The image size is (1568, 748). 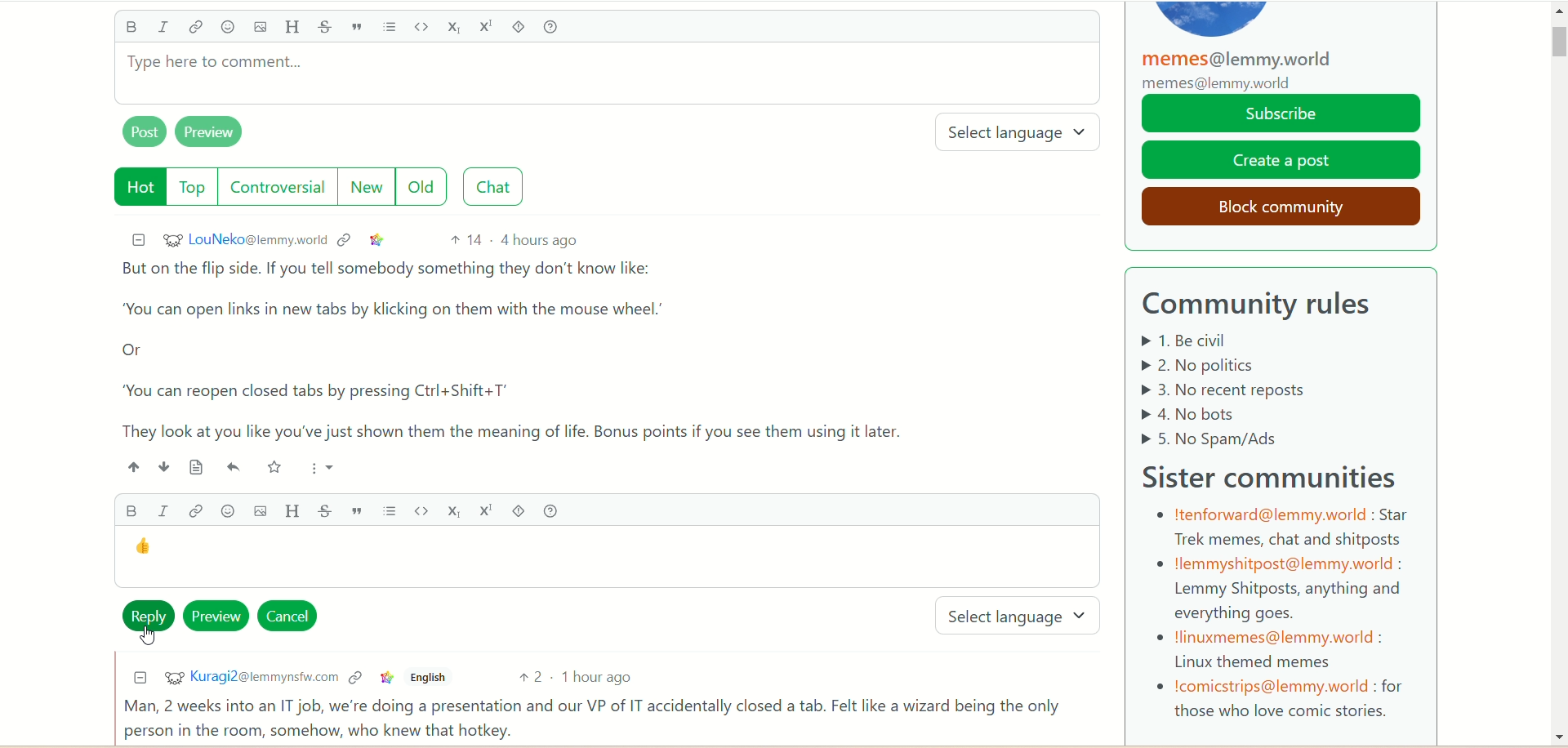 I want to click on select language, so click(x=1022, y=616).